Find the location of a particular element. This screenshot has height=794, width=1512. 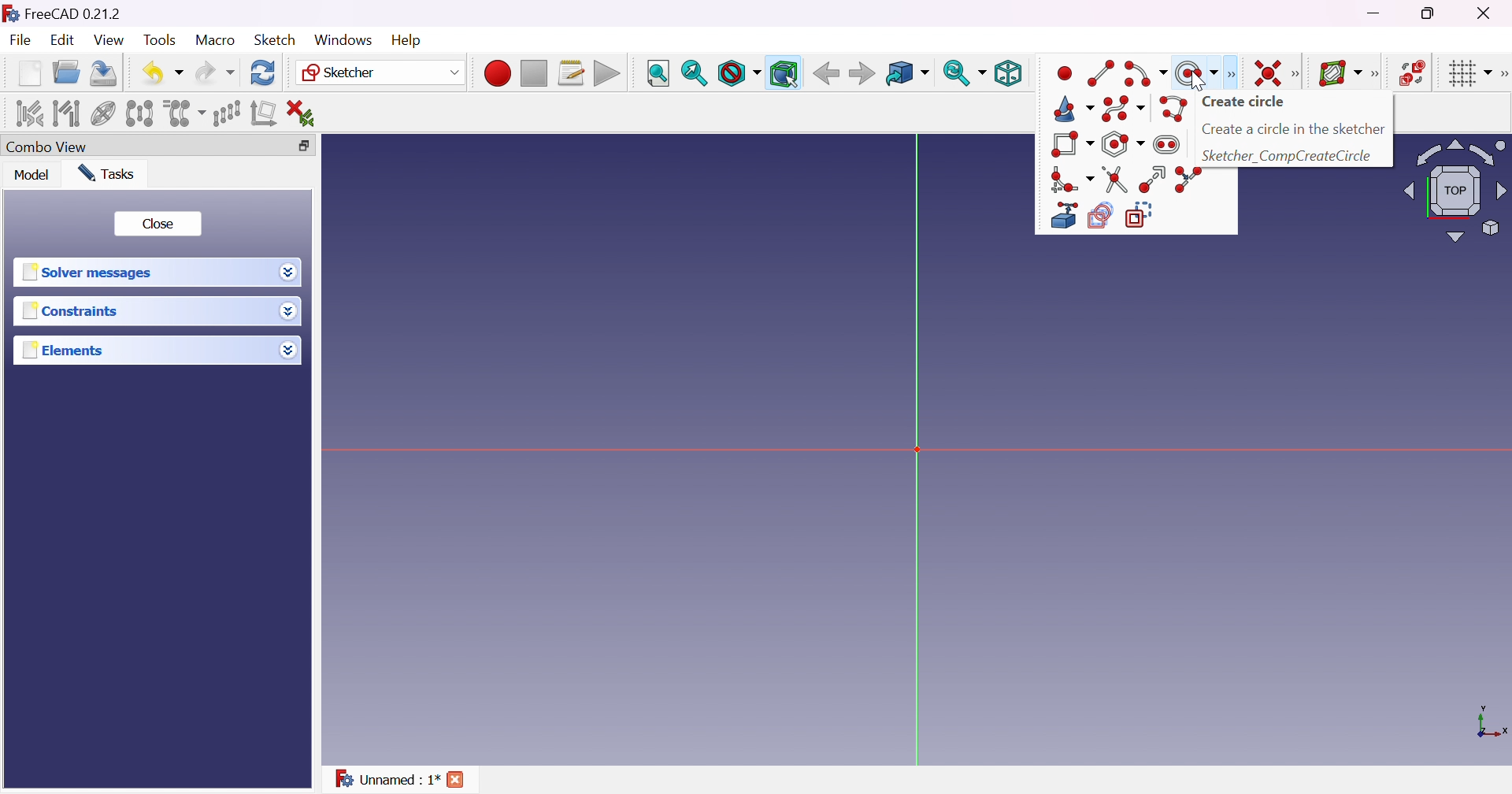

Show/hide internal geometry is located at coordinates (104, 113).